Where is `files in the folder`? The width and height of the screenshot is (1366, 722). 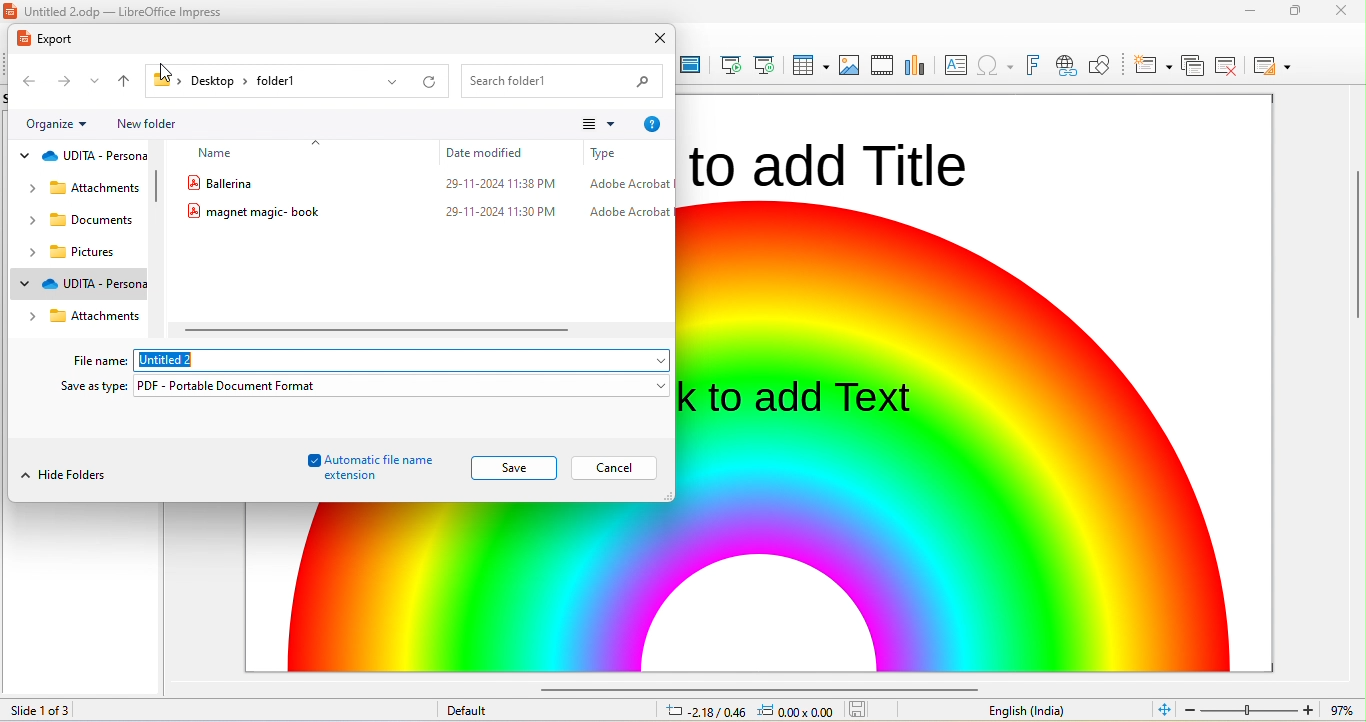 files in the folder is located at coordinates (427, 181).